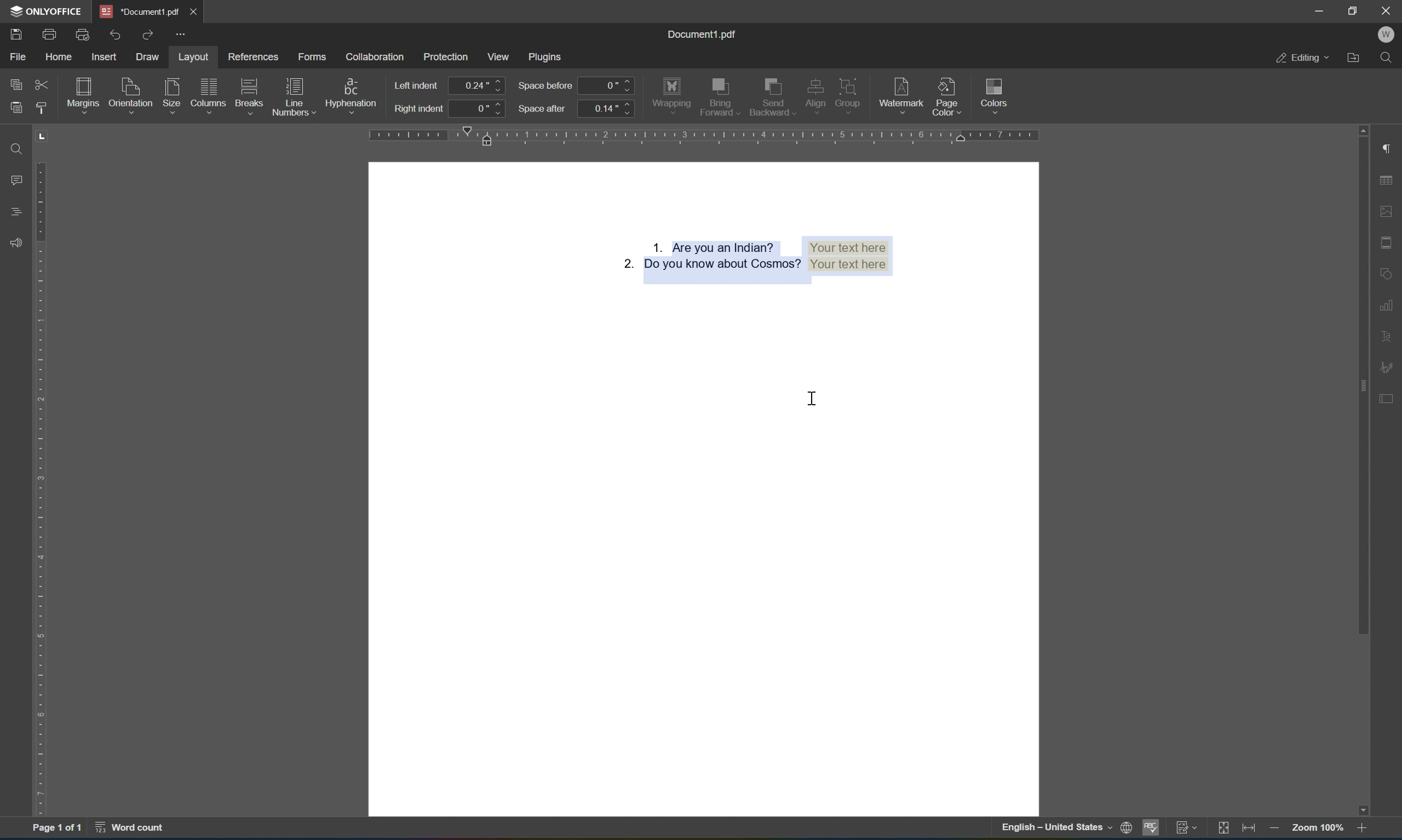 The width and height of the screenshot is (1402, 840). What do you see at coordinates (140, 11) in the screenshot?
I see `document1` at bounding box center [140, 11].